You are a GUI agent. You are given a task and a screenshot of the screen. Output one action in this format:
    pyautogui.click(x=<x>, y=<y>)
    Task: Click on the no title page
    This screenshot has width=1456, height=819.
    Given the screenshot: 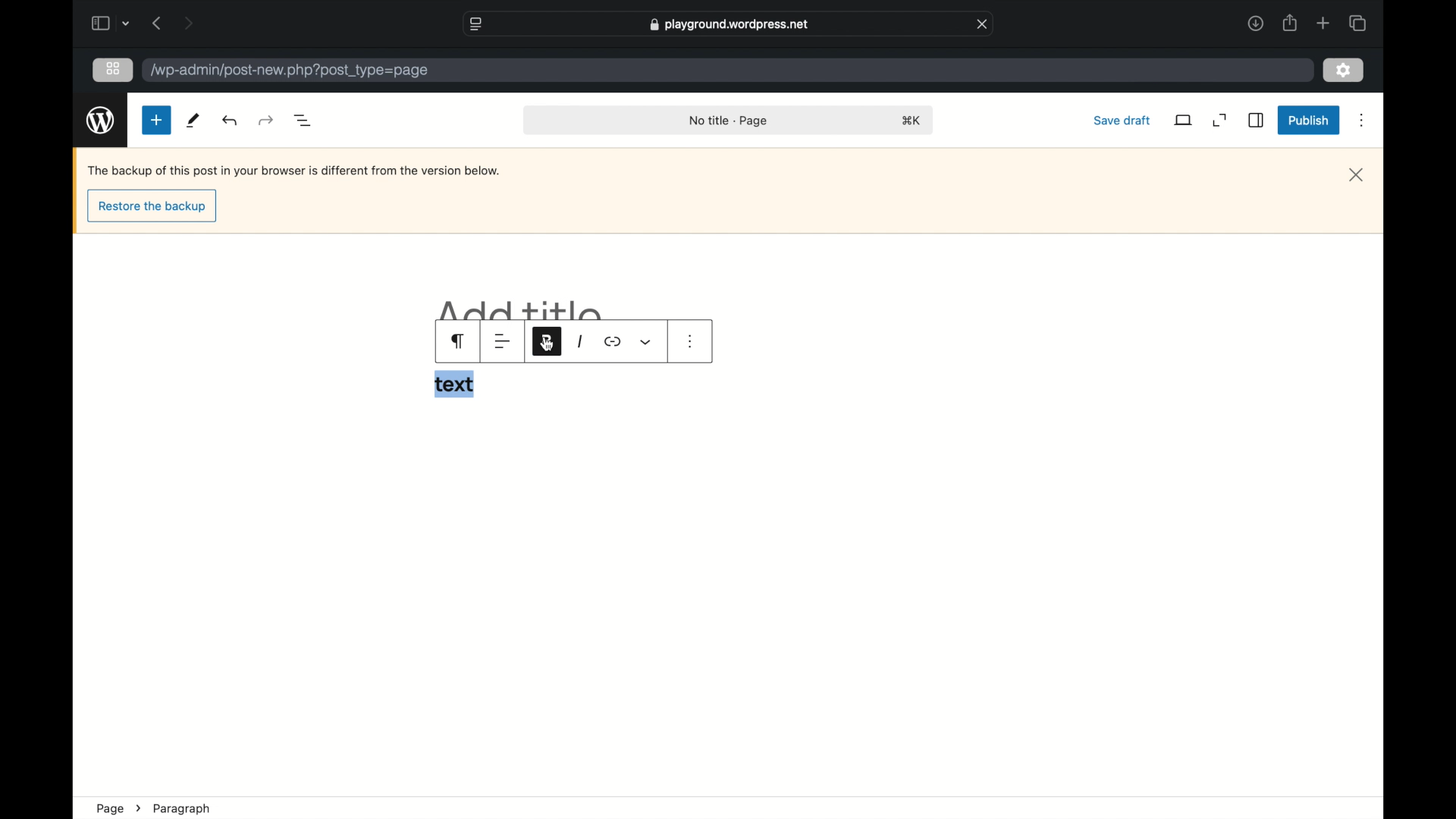 What is the action you would take?
    pyautogui.click(x=730, y=120)
    